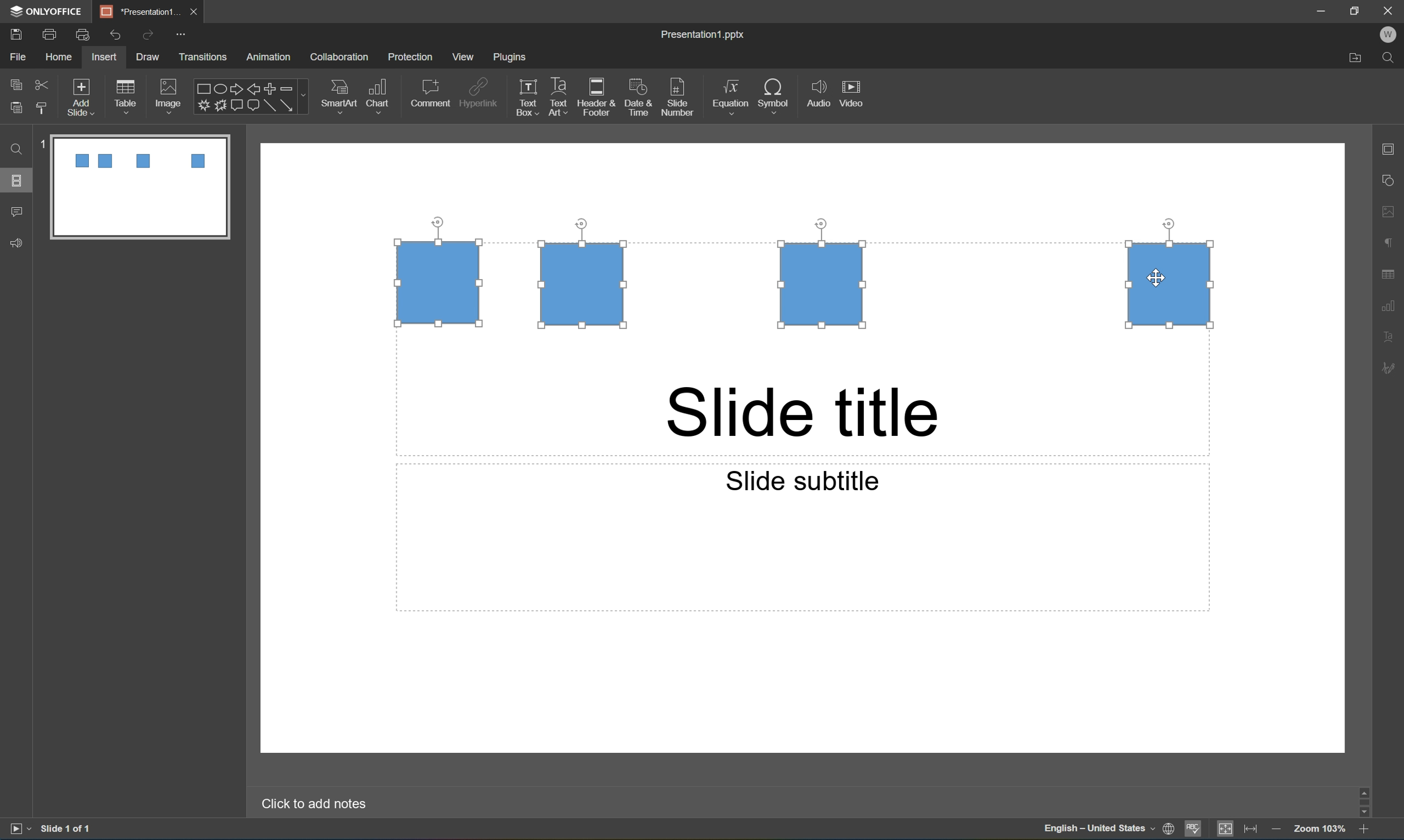  I want to click on print, so click(48, 33).